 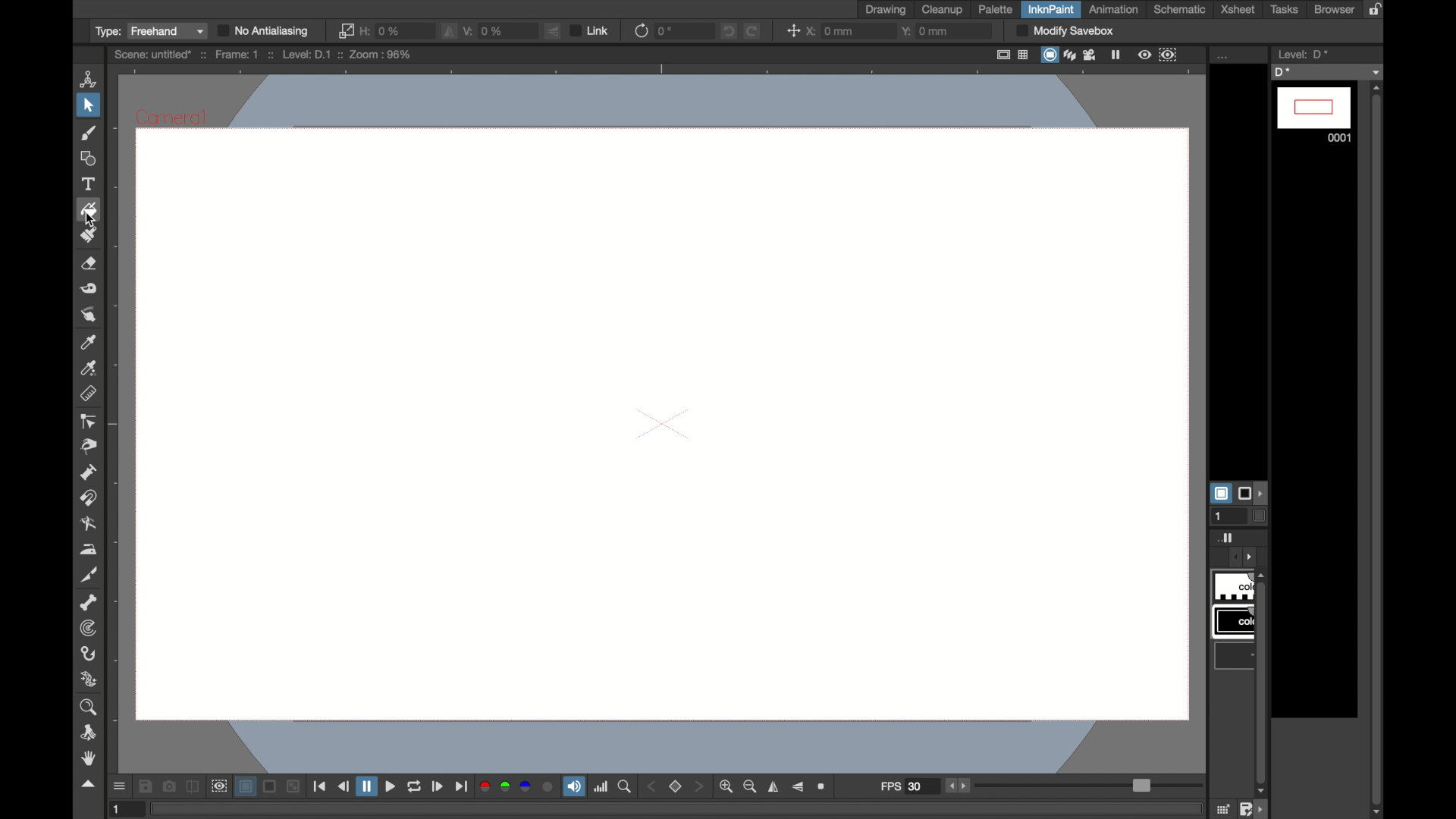 I want to click on snapshot, so click(x=170, y=786).